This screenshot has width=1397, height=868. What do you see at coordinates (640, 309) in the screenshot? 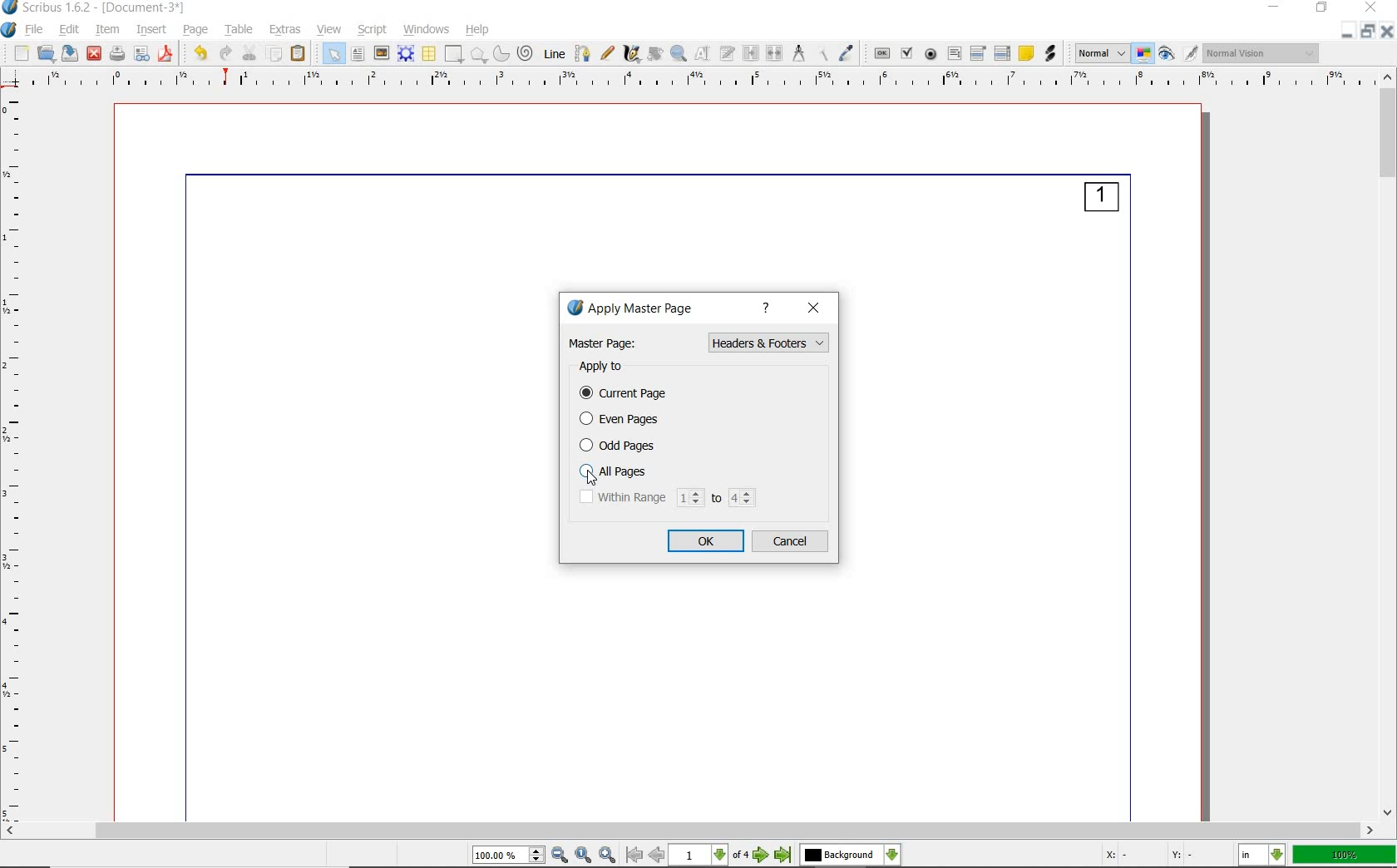
I see `apply master page` at bounding box center [640, 309].